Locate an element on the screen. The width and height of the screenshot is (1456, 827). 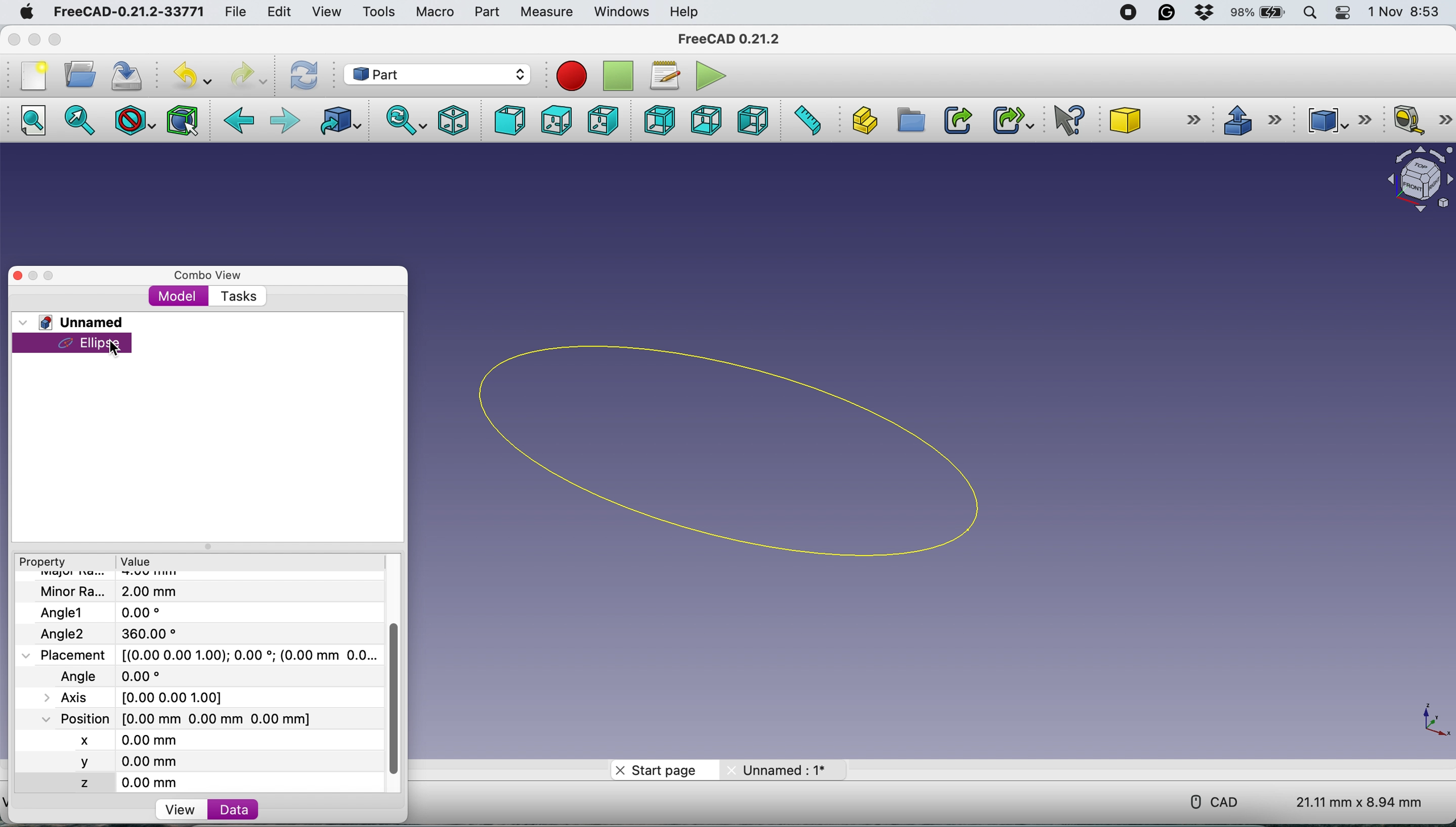
object interface is located at coordinates (1411, 177).